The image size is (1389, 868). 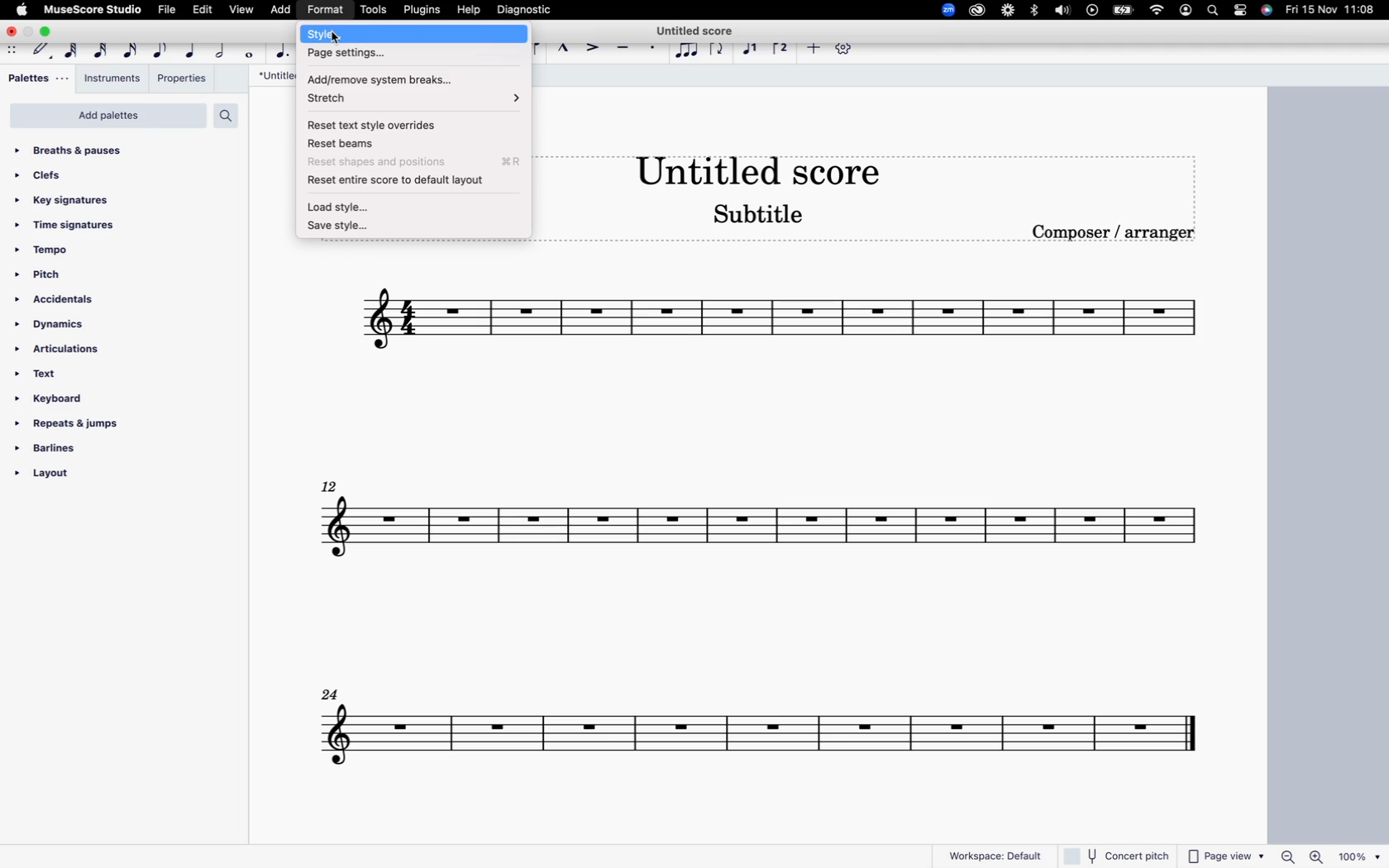 I want to click on settings, so click(x=843, y=51).